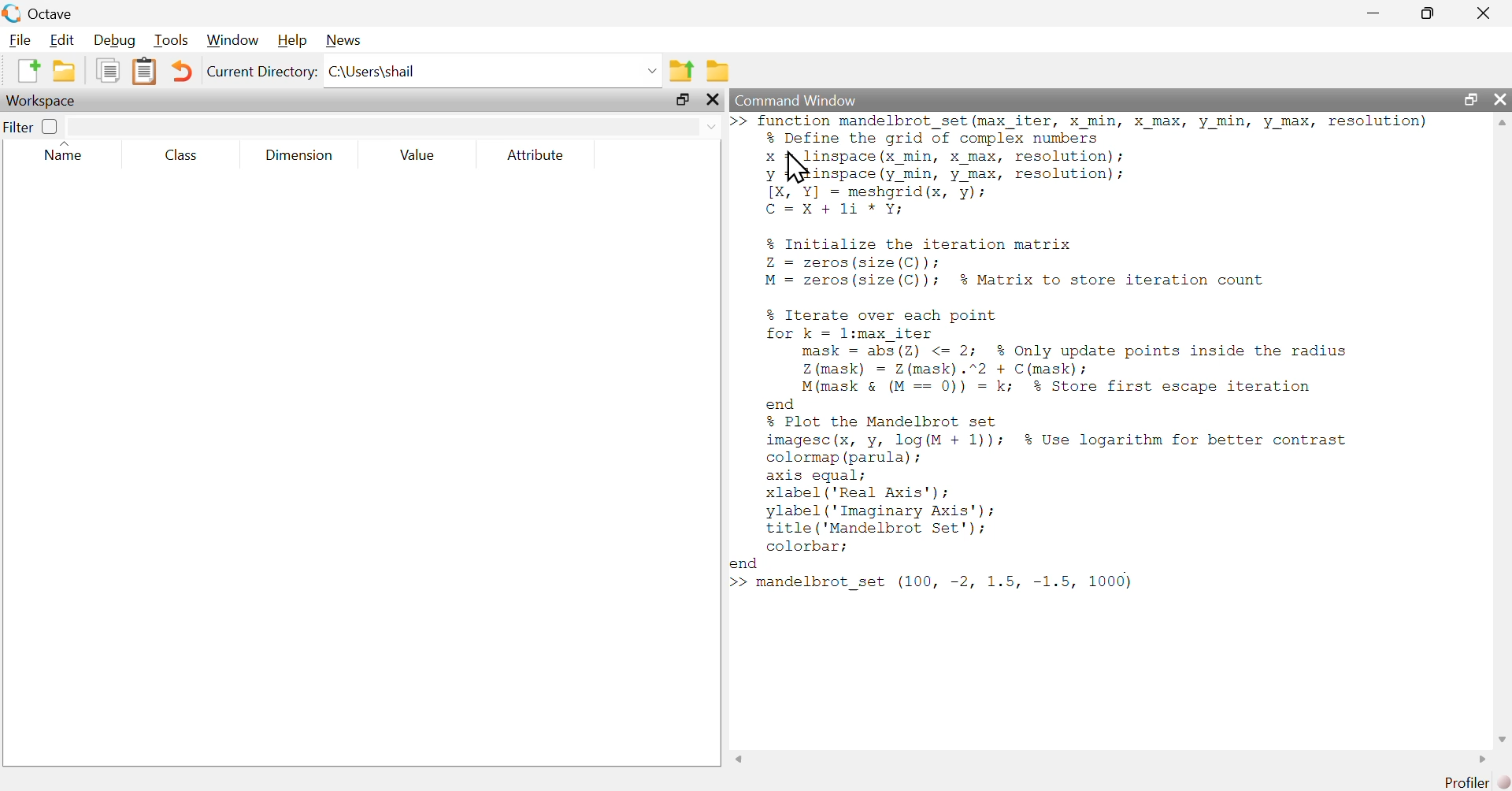 This screenshot has height=791, width=1512. I want to click on one directory up, so click(680, 69).